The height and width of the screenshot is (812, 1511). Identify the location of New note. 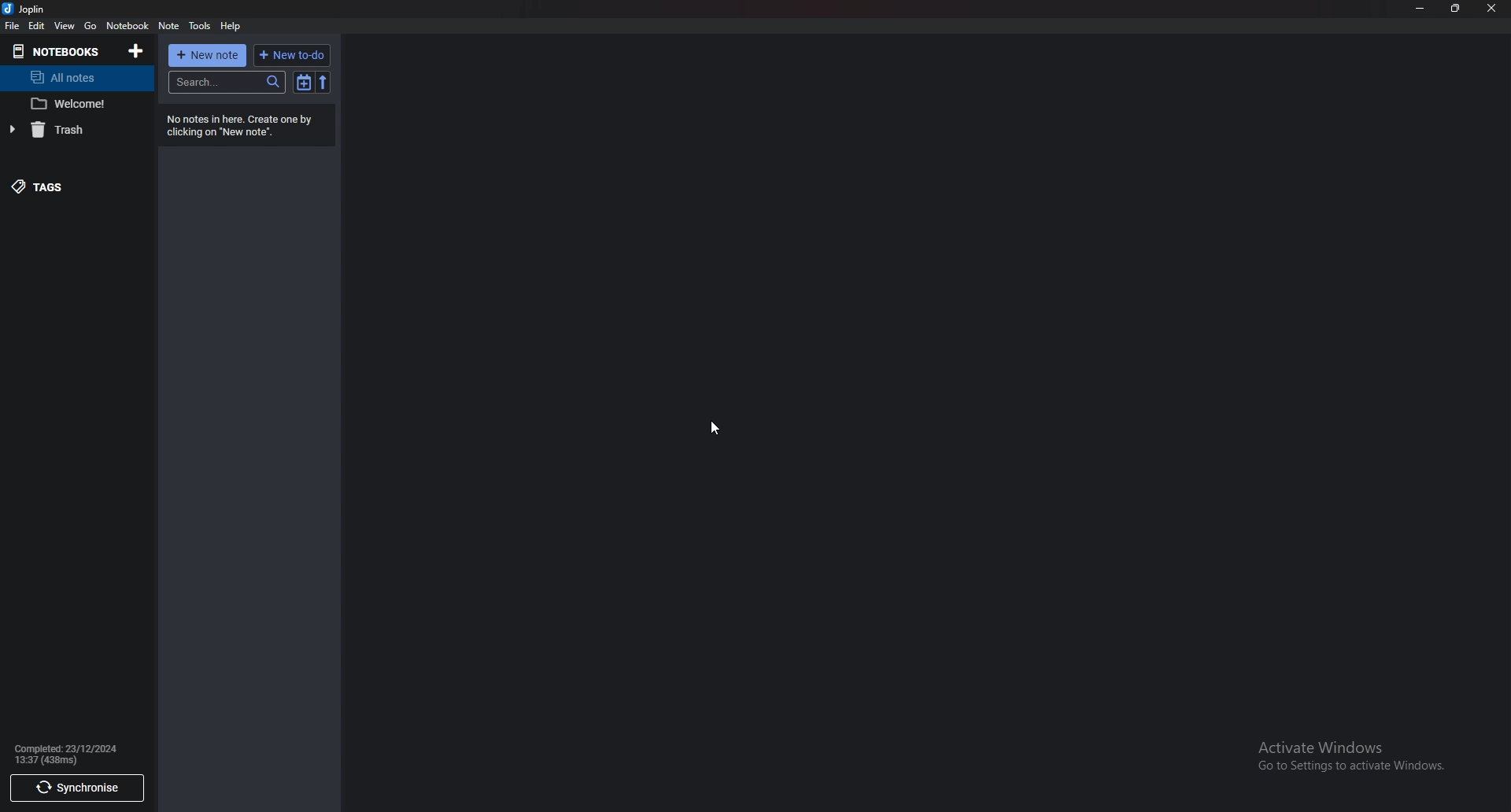
(206, 56).